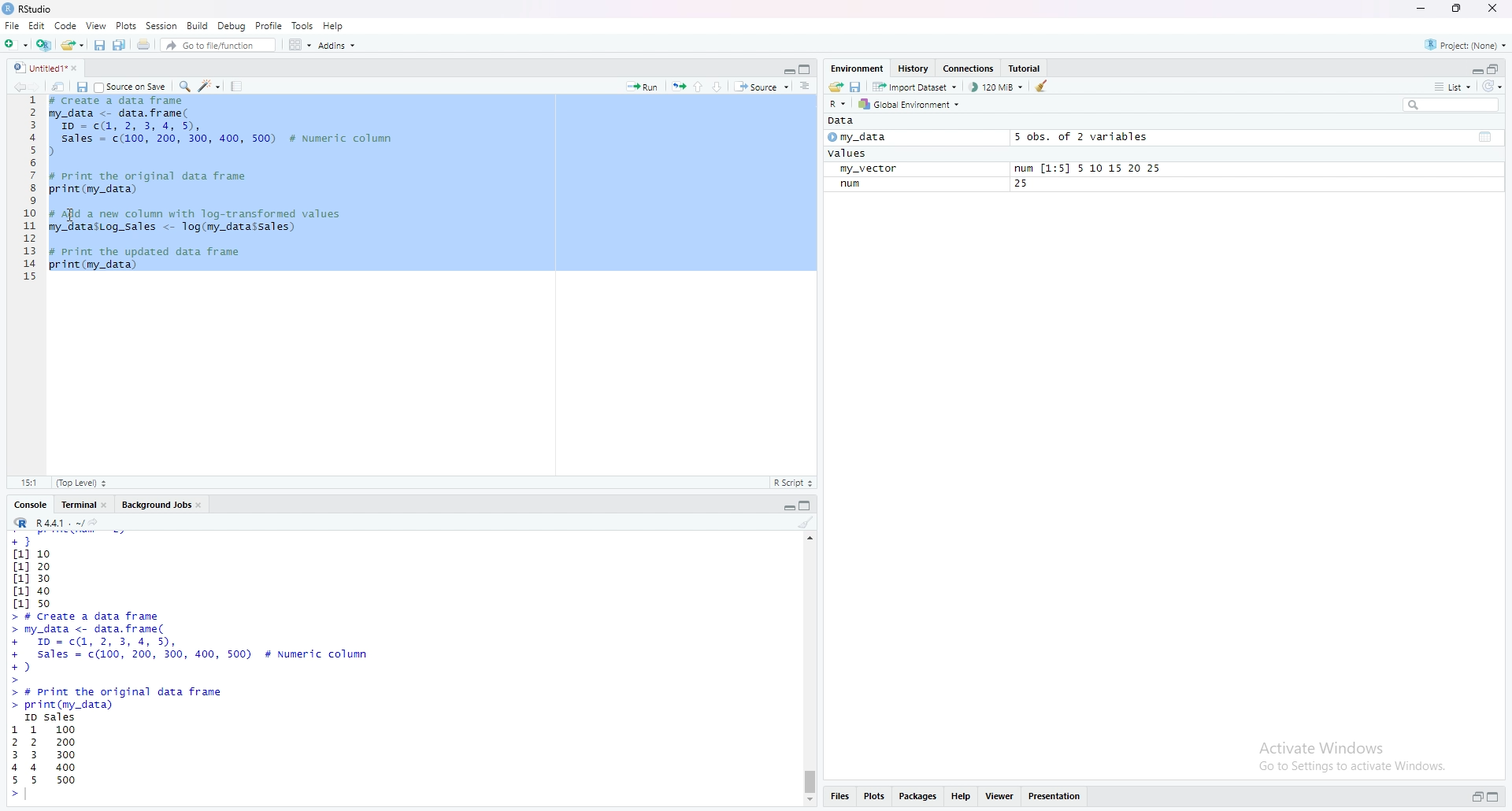  Describe the element at coordinates (1085, 137) in the screenshot. I see `5 obs. of 2 variables` at that location.